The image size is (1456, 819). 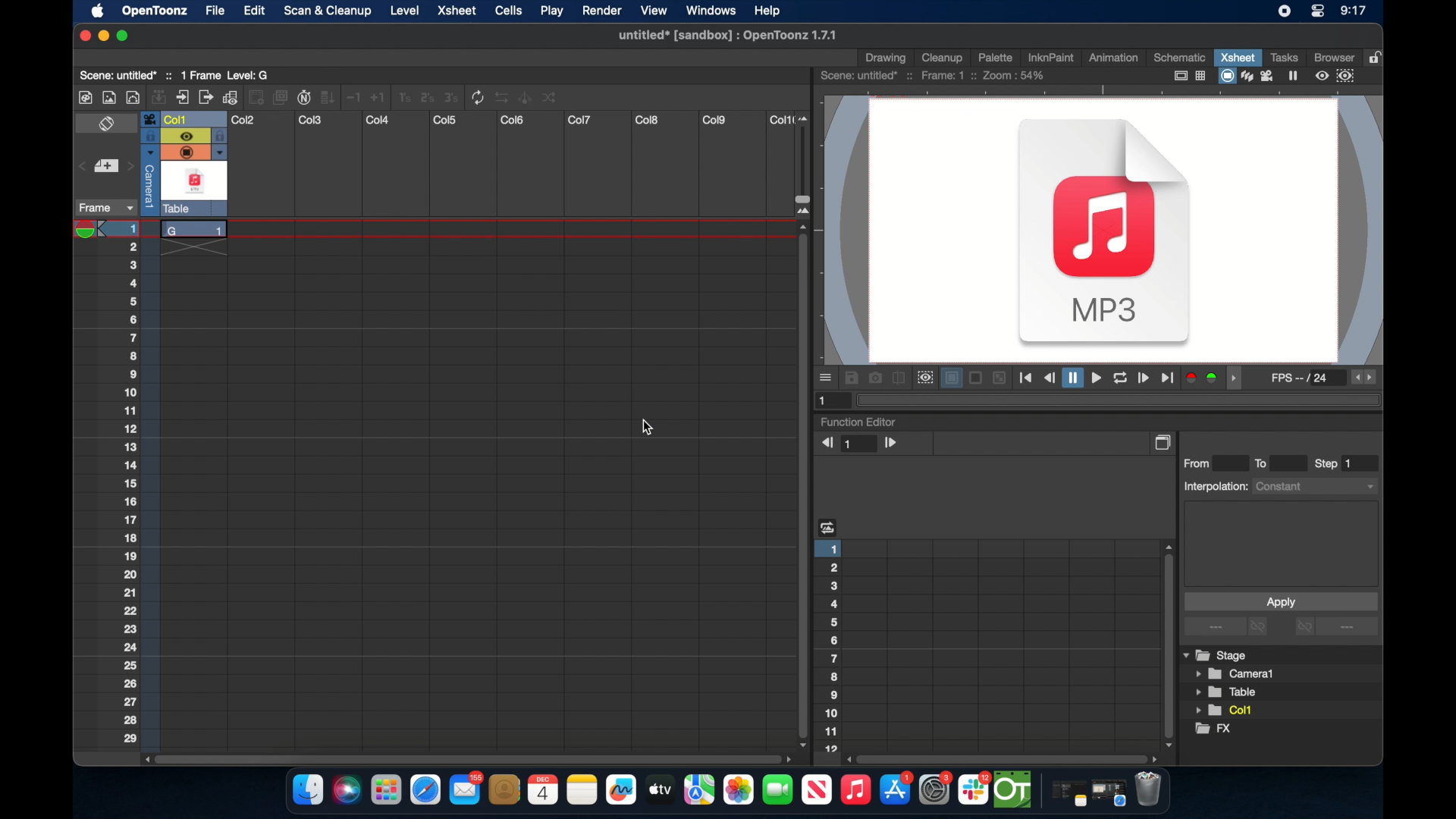 I want to click on cleanup, so click(x=943, y=56).